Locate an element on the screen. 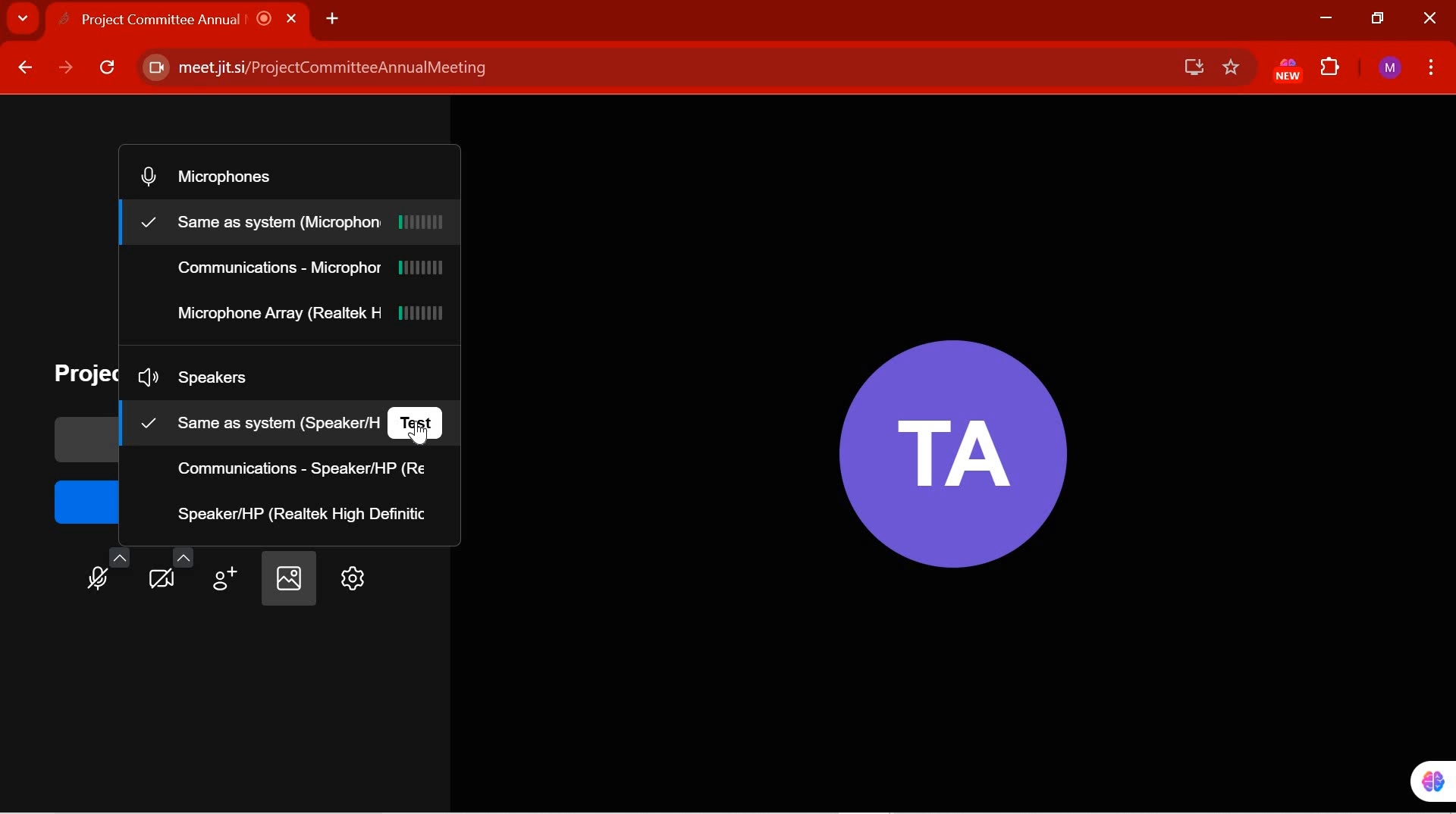 The image size is (1456, 814). Speakers is located at coordinates (214, 378).